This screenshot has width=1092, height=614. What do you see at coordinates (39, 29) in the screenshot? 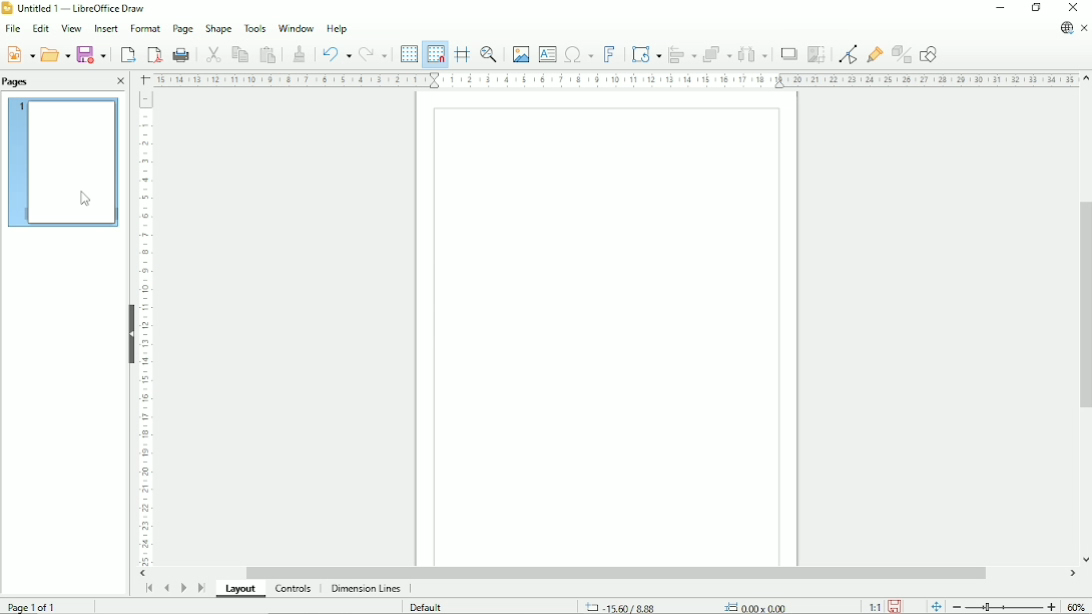
I see `Edit` at bounding box center [39, 29].